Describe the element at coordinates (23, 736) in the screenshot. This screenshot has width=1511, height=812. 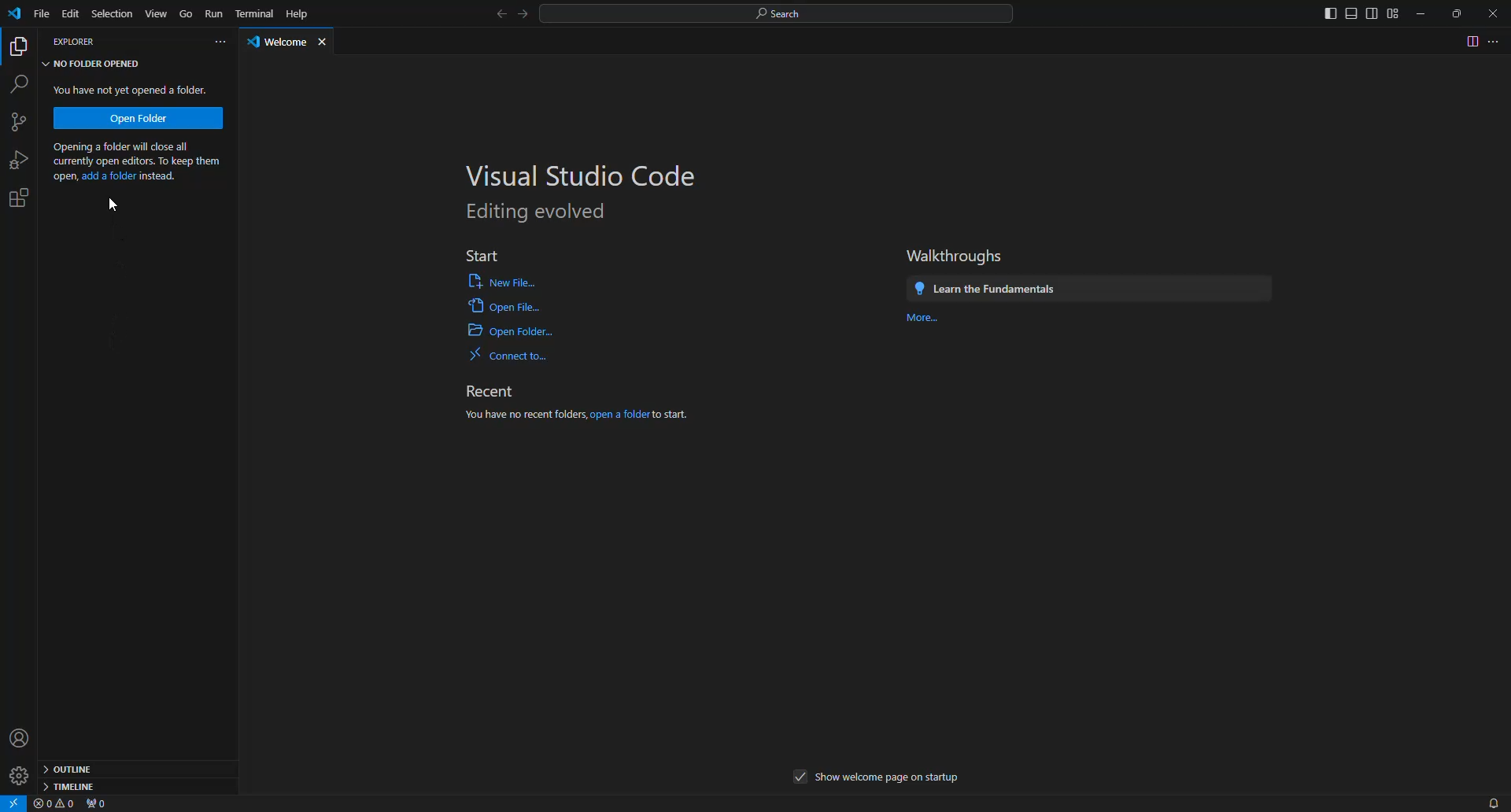
I see `accounts` at that location.